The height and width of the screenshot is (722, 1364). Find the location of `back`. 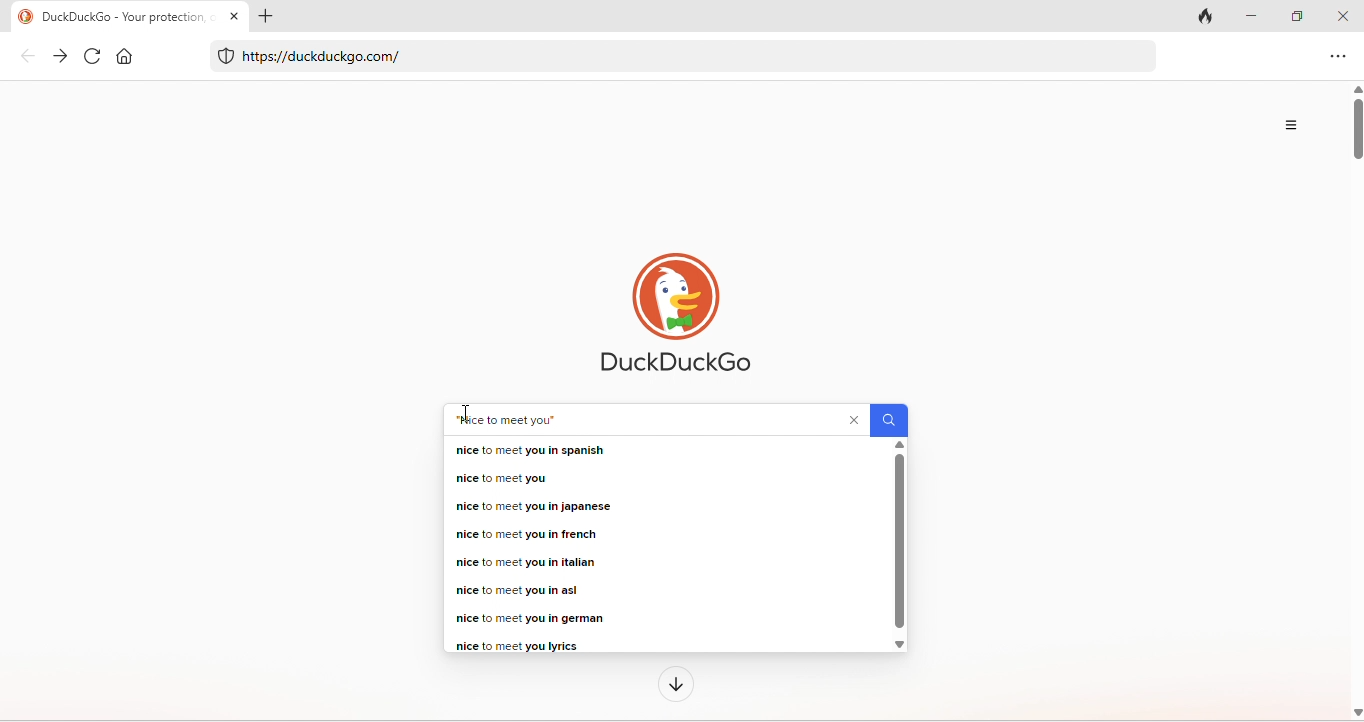

back is located at coordinates (29, 56).